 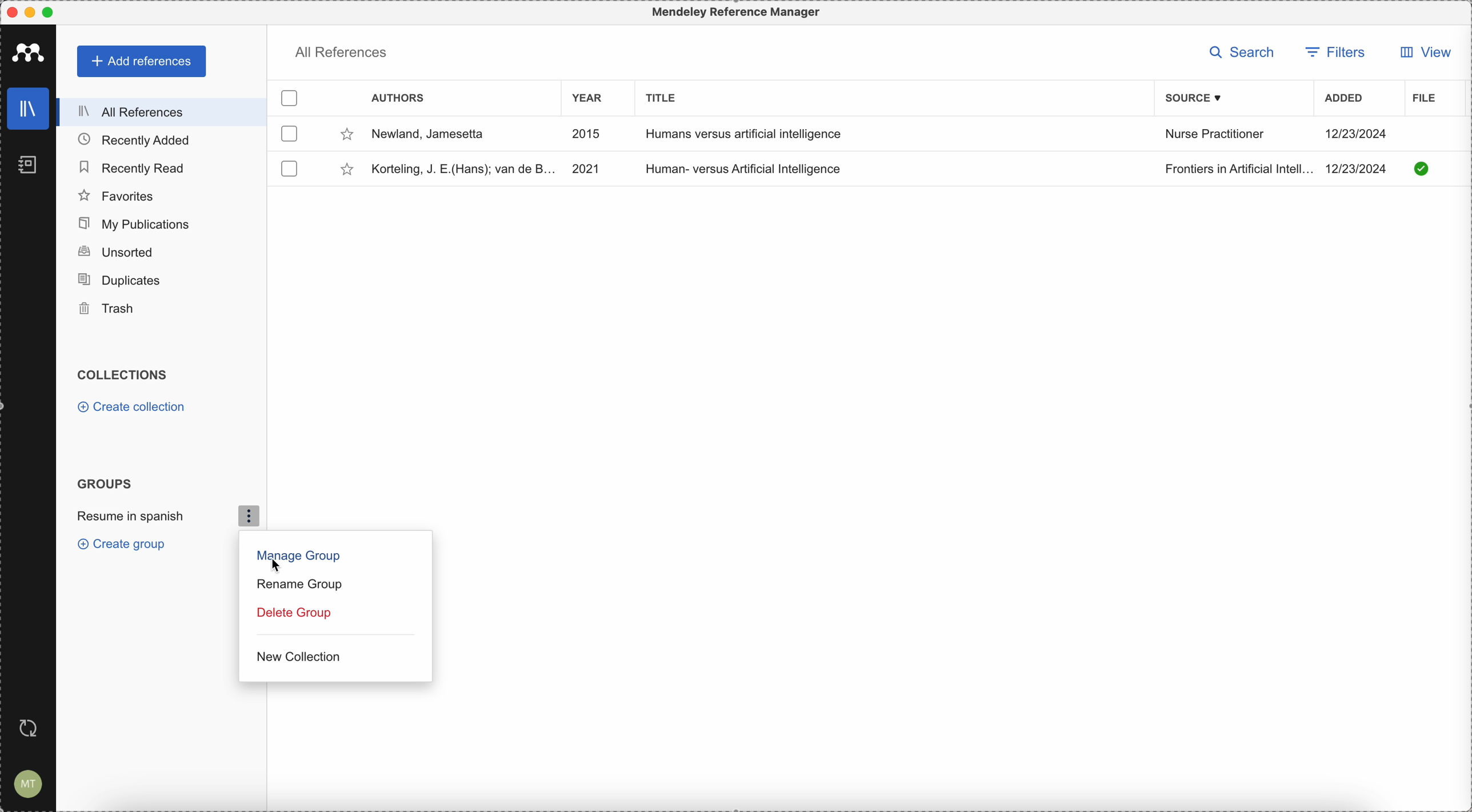 I want to click on notebooks, so click(x=25, y=163).